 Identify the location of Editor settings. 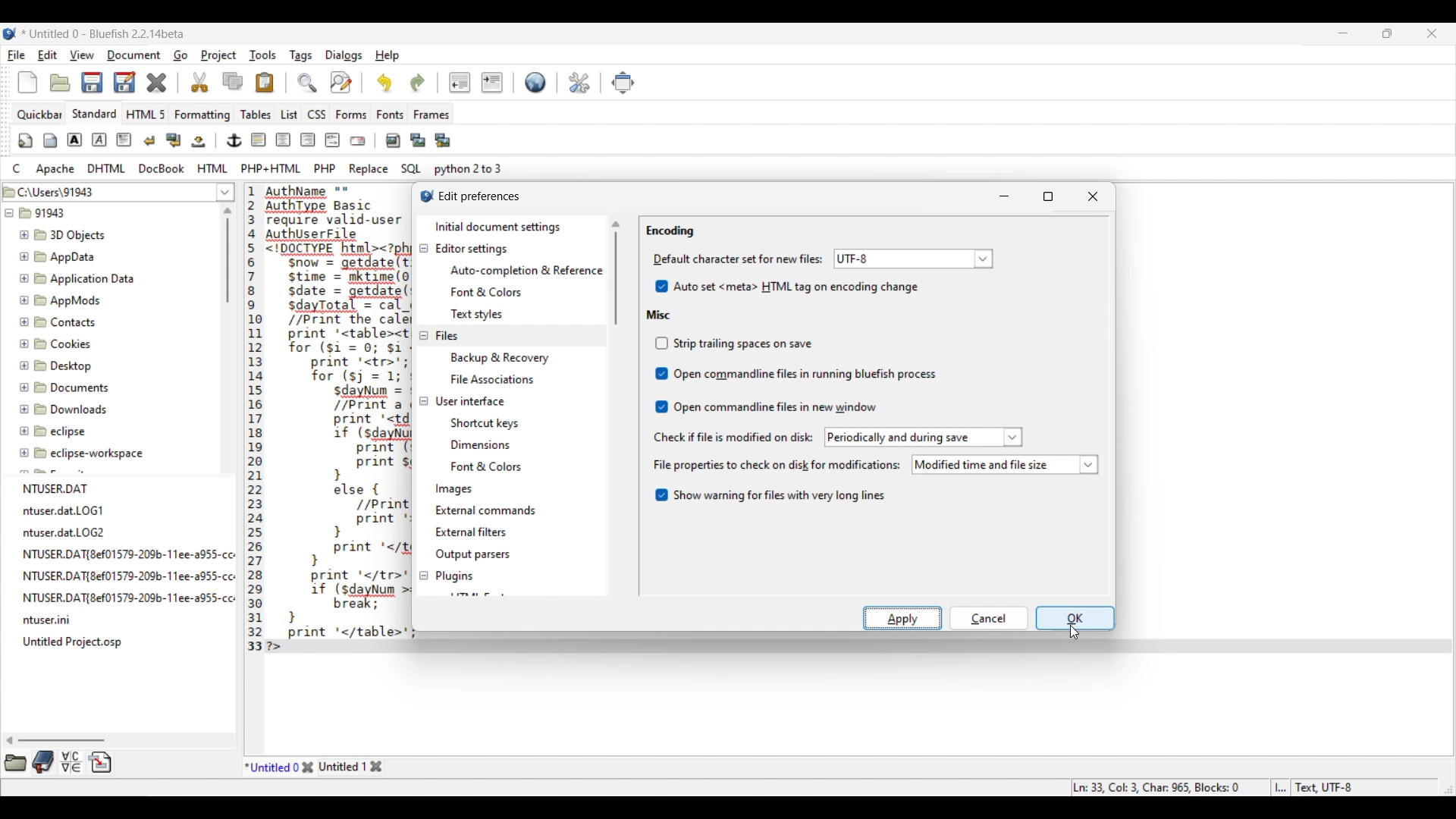
(473, 249).